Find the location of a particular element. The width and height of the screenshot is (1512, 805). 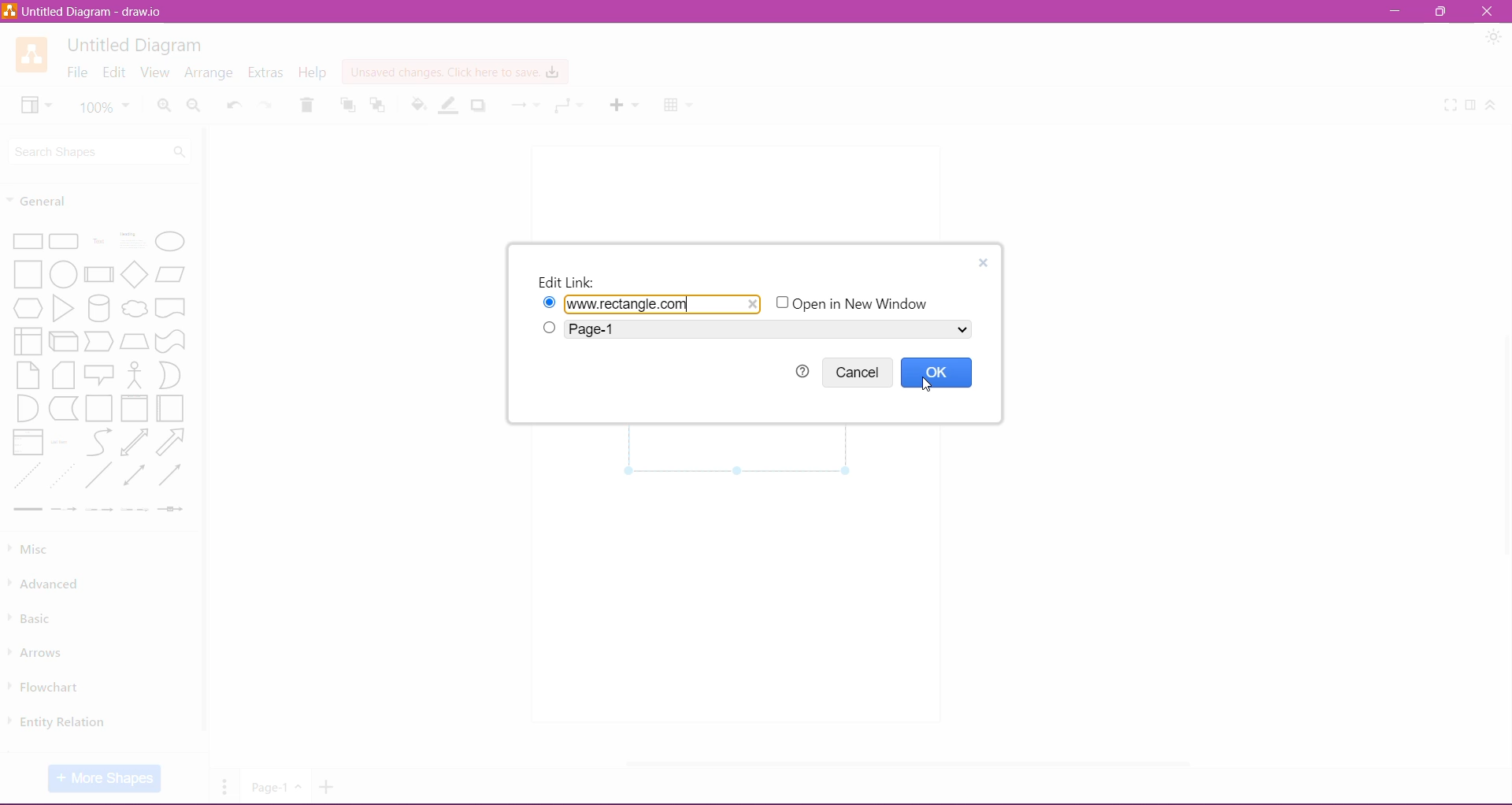

Table is located at coordinates (680, 107).